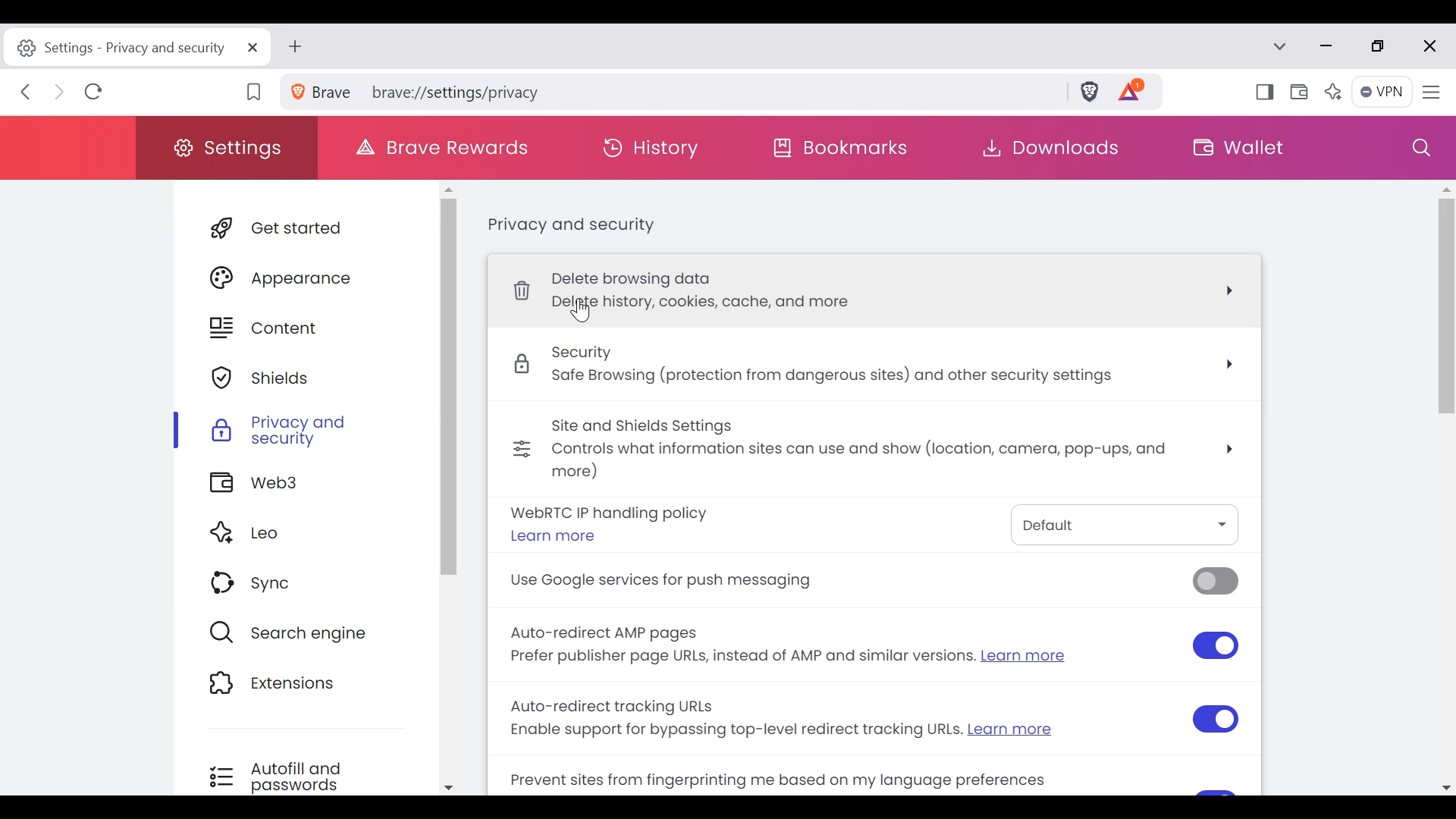 This screenshot has height=819, width=1456. What do you see at coordinates (820, 779) in the screenshot?
I see `Enable/Disable sites from fingerprinting me based on language preferences` at bounding box center [820, 779].